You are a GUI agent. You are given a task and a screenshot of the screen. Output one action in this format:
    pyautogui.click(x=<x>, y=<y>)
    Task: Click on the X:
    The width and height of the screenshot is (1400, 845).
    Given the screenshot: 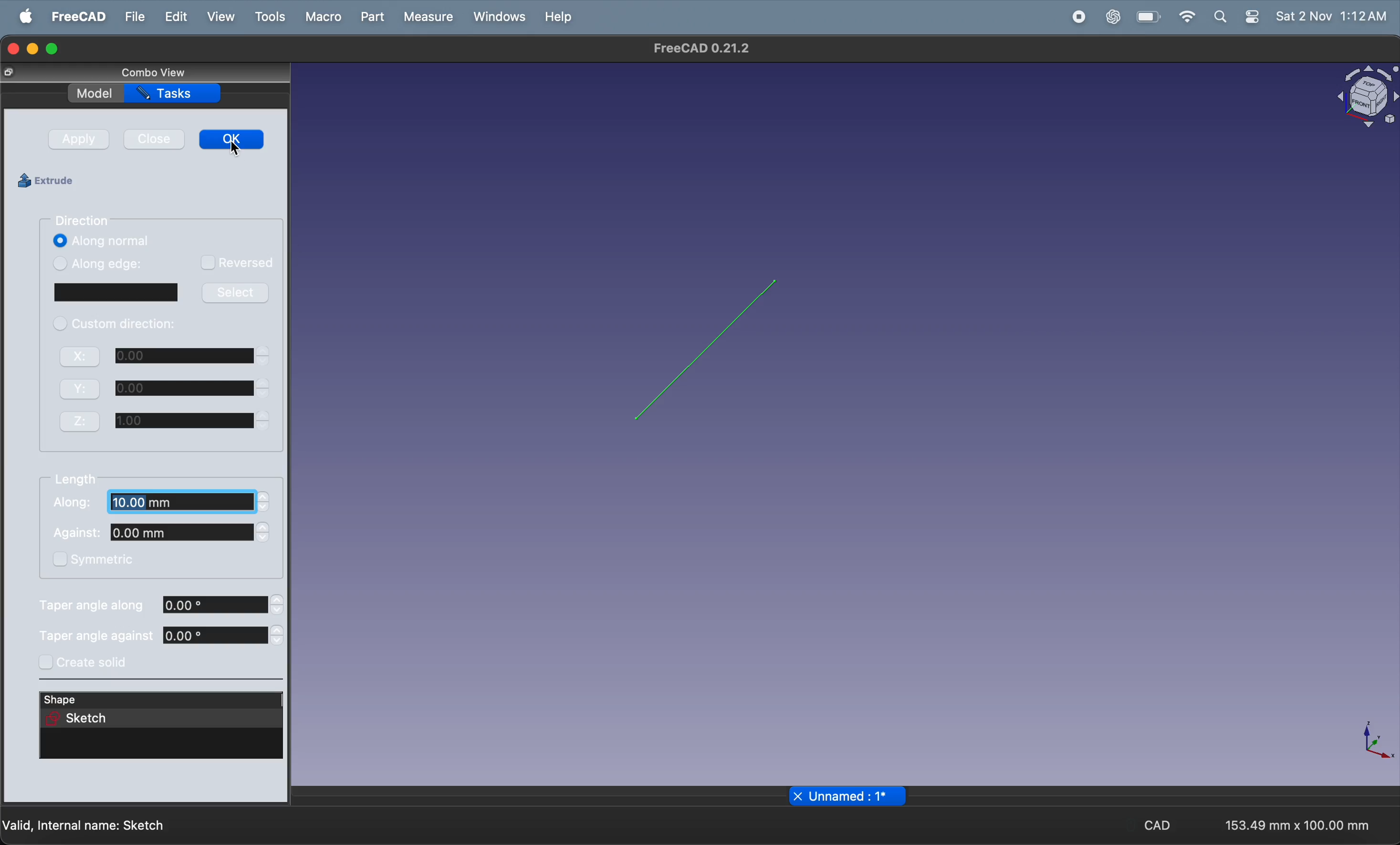 What is the action you would take?
    pyautogui.click(x=79, y=356)
    